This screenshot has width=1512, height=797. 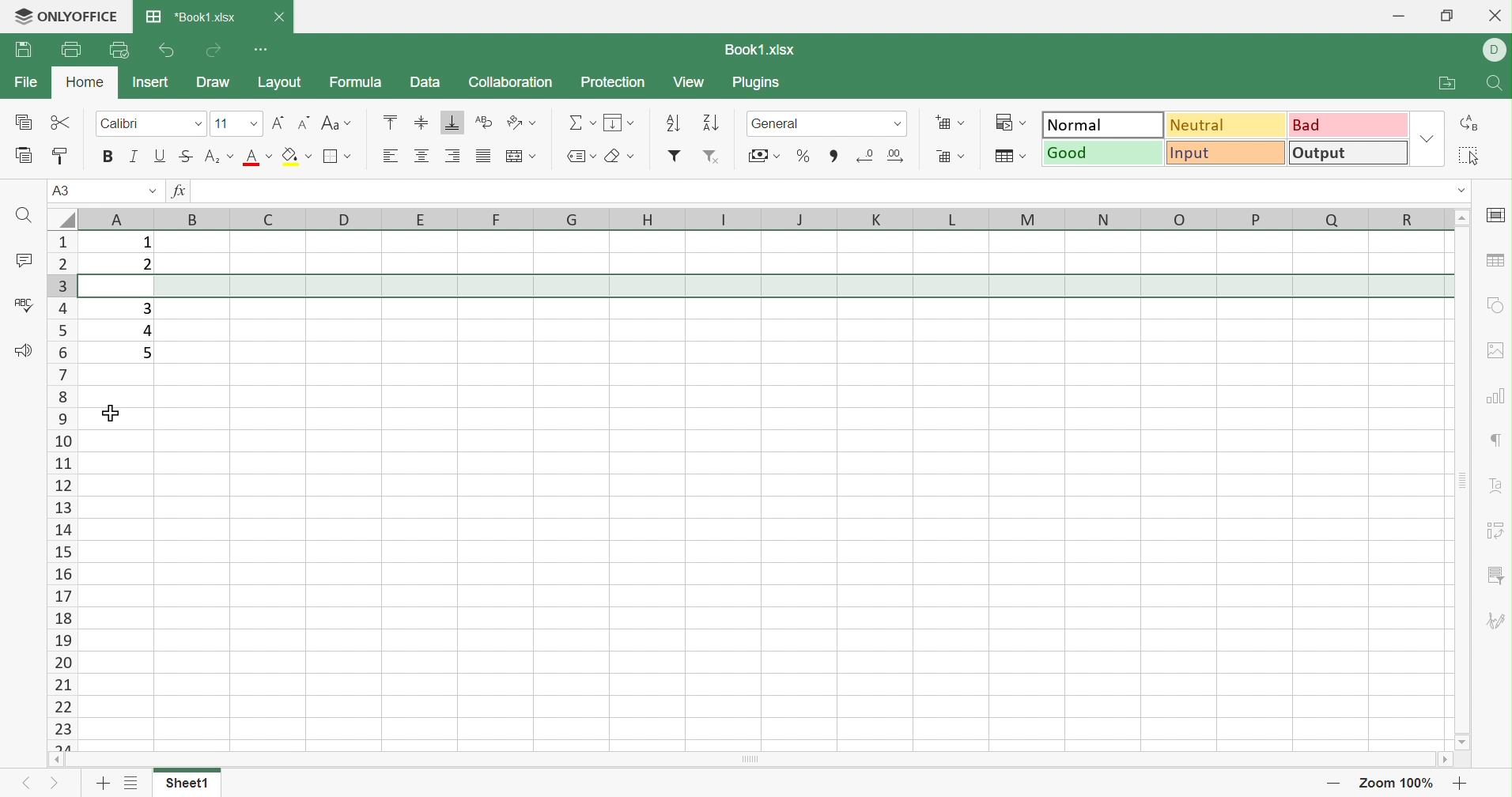 I want to click on Formula, so click(x=359, y=82).